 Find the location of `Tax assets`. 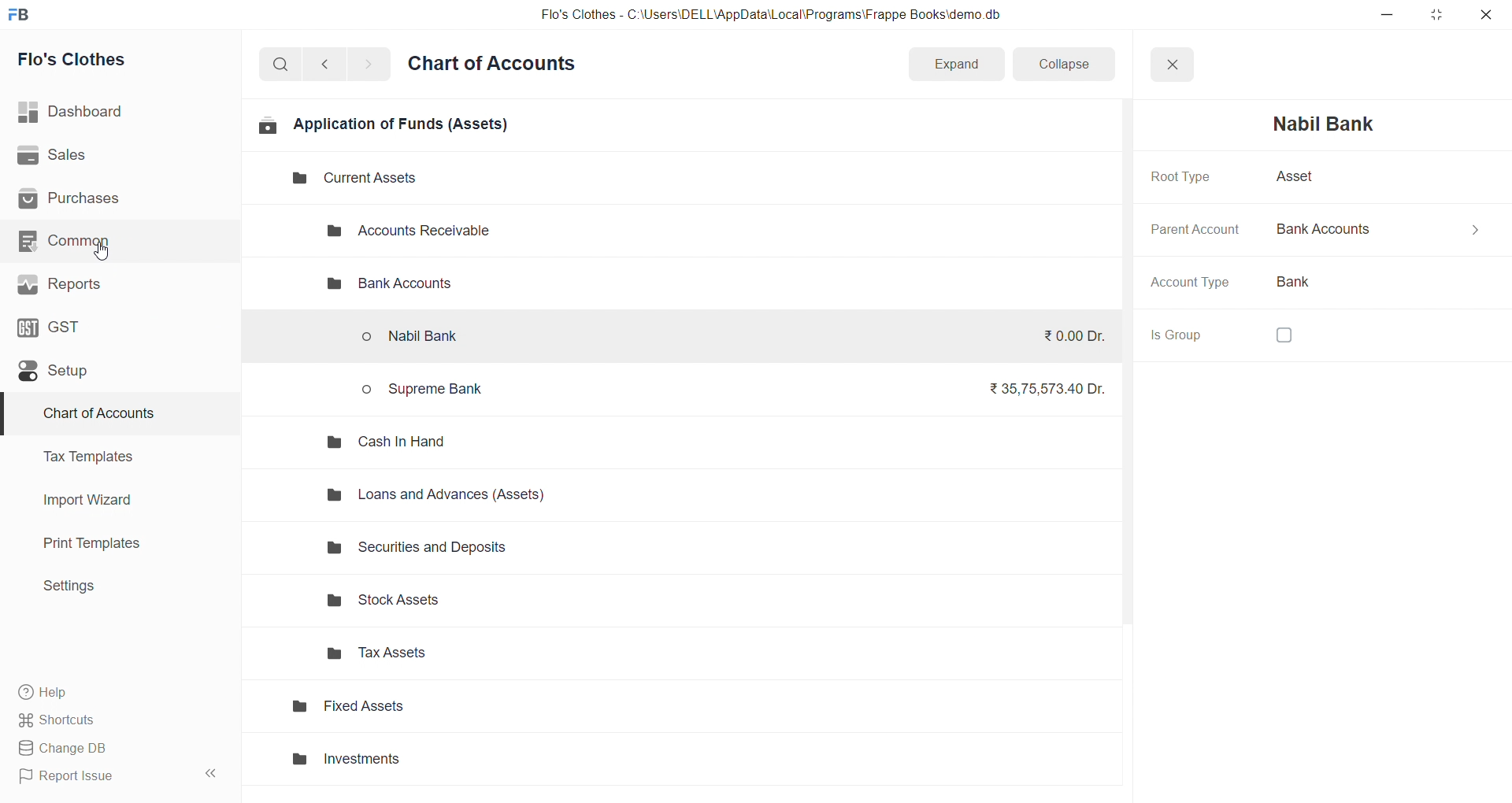

Tax assets is located at coordinates (450, 658).